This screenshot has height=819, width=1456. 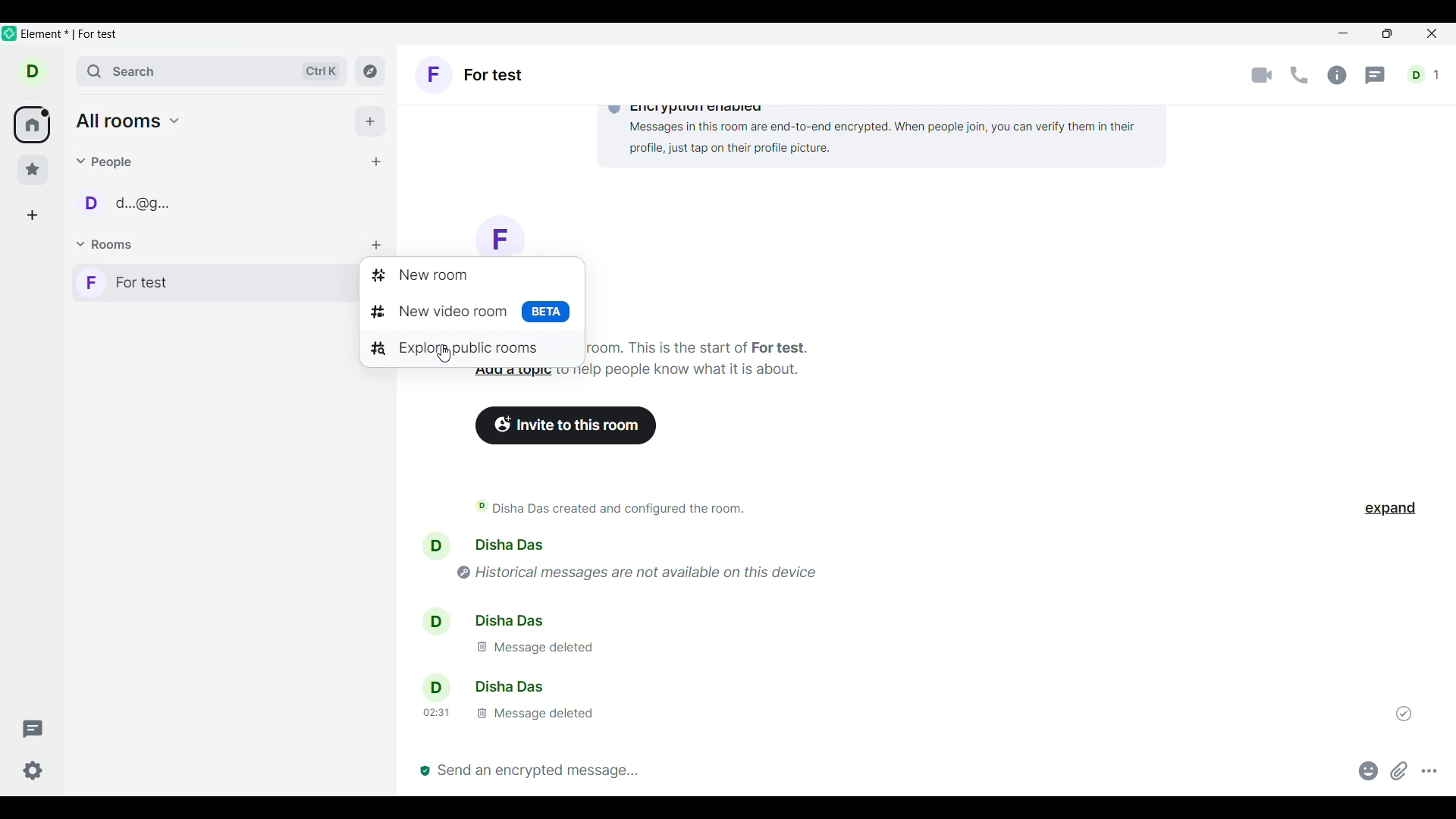 What do you see at coordinates (128, 121) in the screenshot?
I see `All rooms` at bounding box center [128, 121].